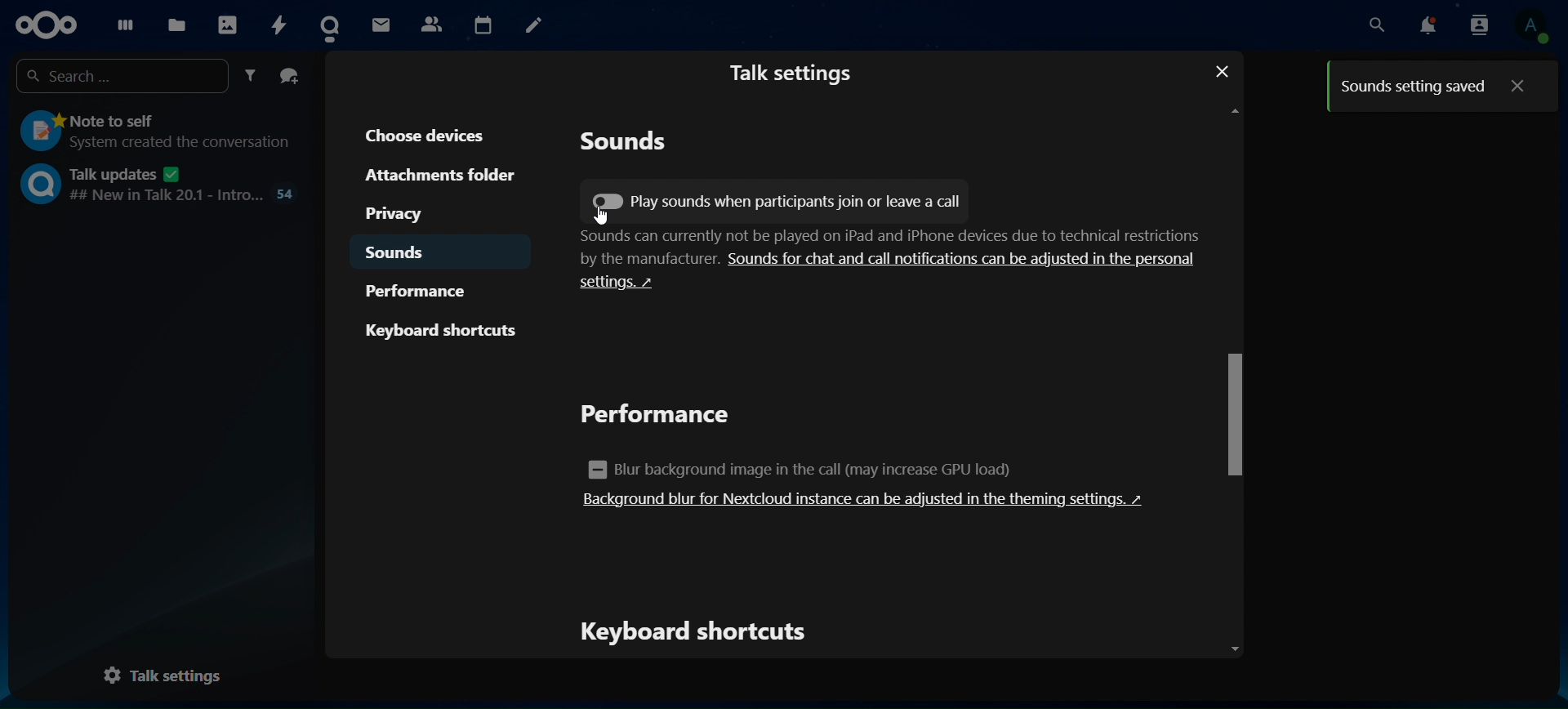 This screenshot has width=1568, height=709. I want to click on note a self  System outdated the conversation, so click(158, 129).